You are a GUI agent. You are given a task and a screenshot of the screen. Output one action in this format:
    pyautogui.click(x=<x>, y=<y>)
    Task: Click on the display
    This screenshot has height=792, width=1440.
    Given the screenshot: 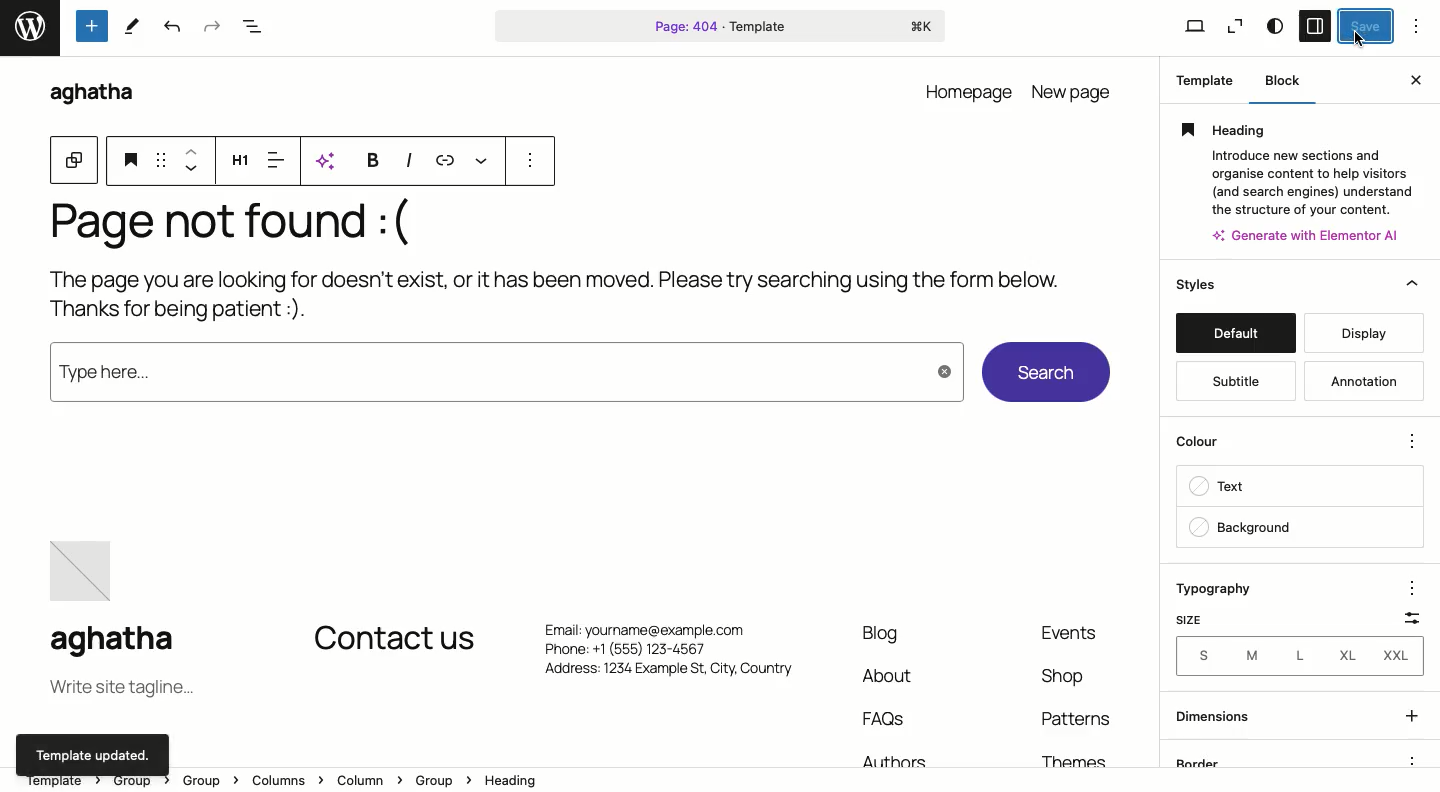 What is the action you would take?
    pyautogui.click(x=1370, y=330)
    